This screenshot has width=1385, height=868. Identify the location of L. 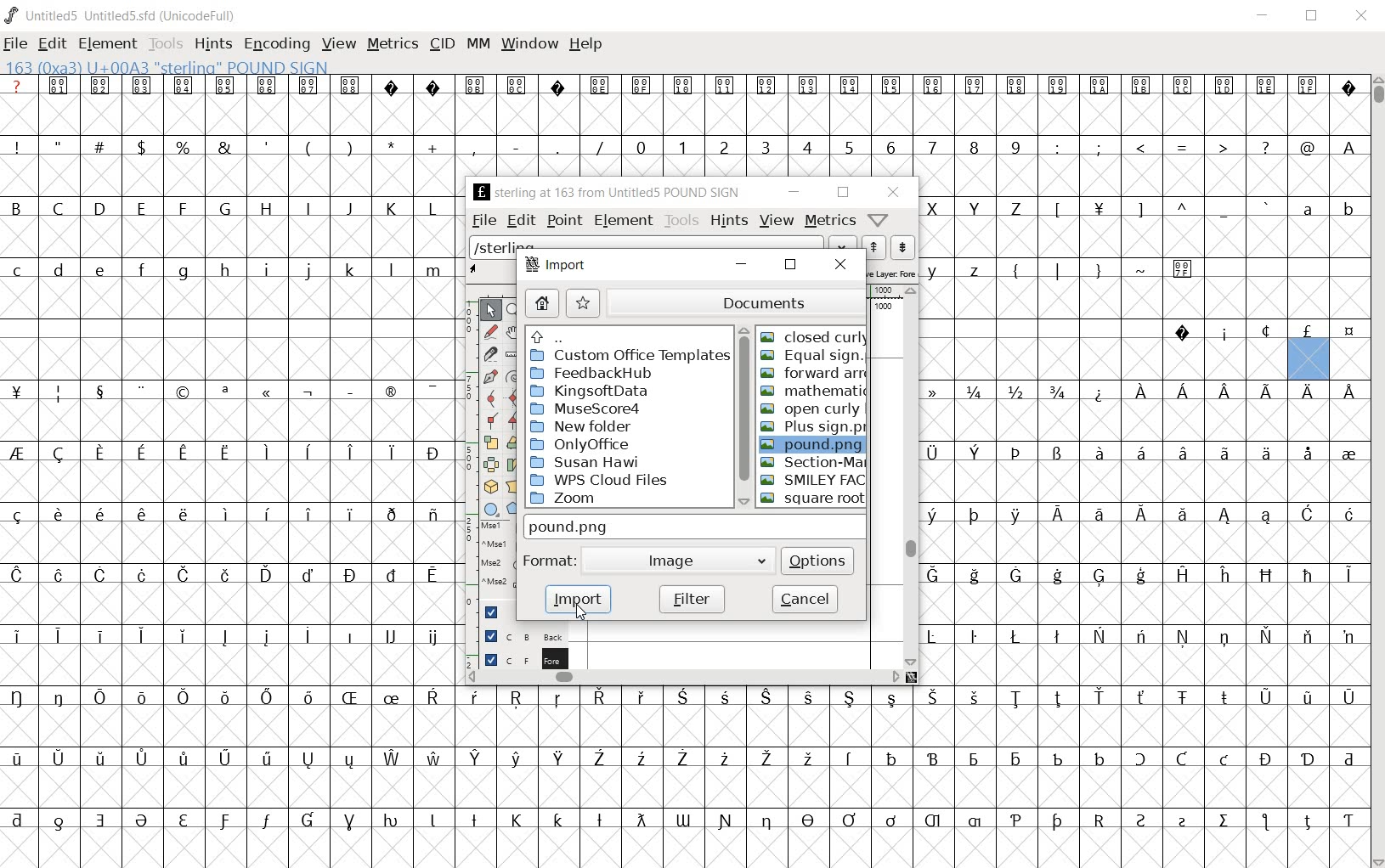
(432, 208).